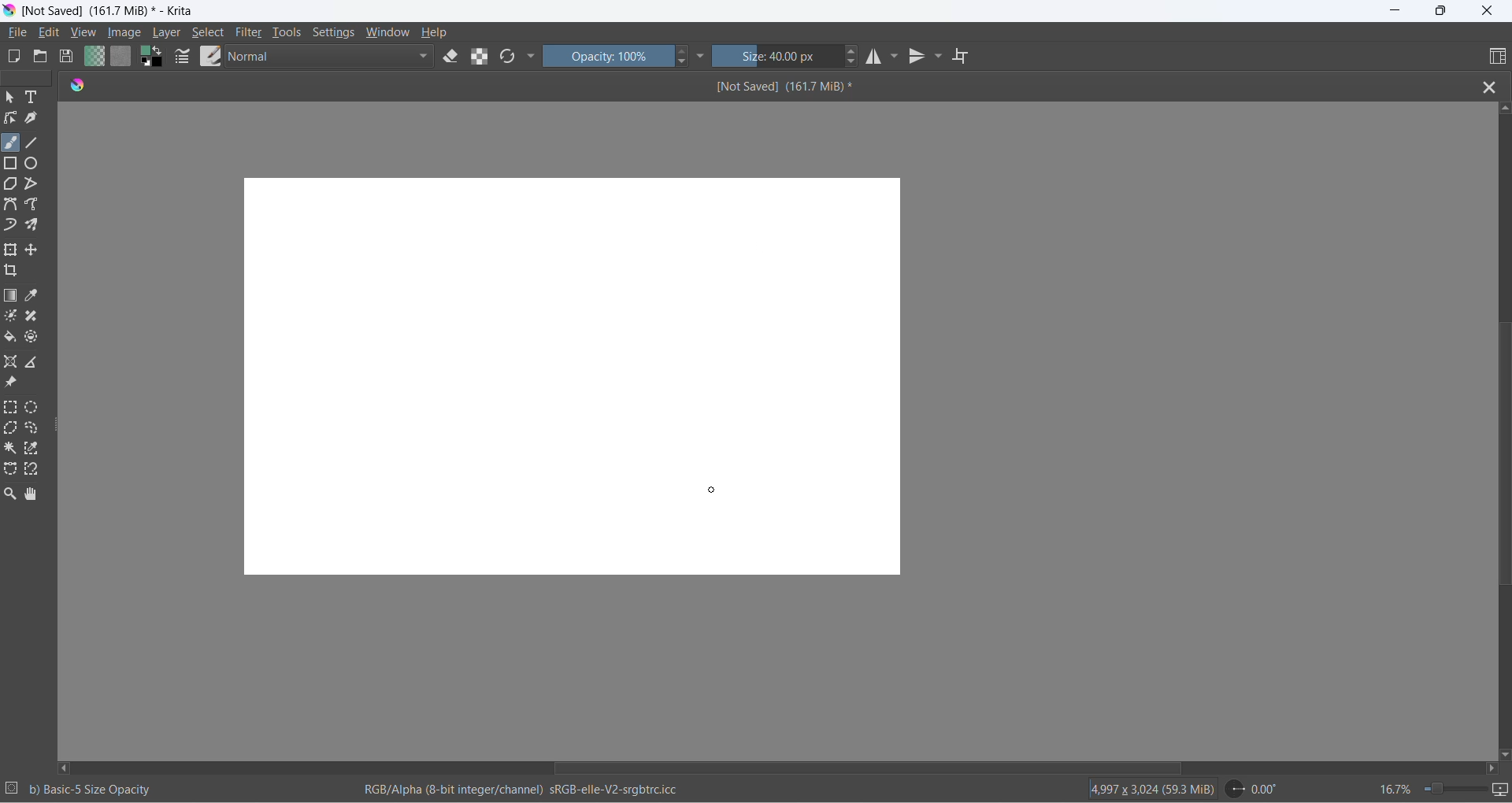 The width and height of the screenshot is (1512, 803). Describe the element at coordinates (35, 140) in the screenshot. I see `line tool` at that location.